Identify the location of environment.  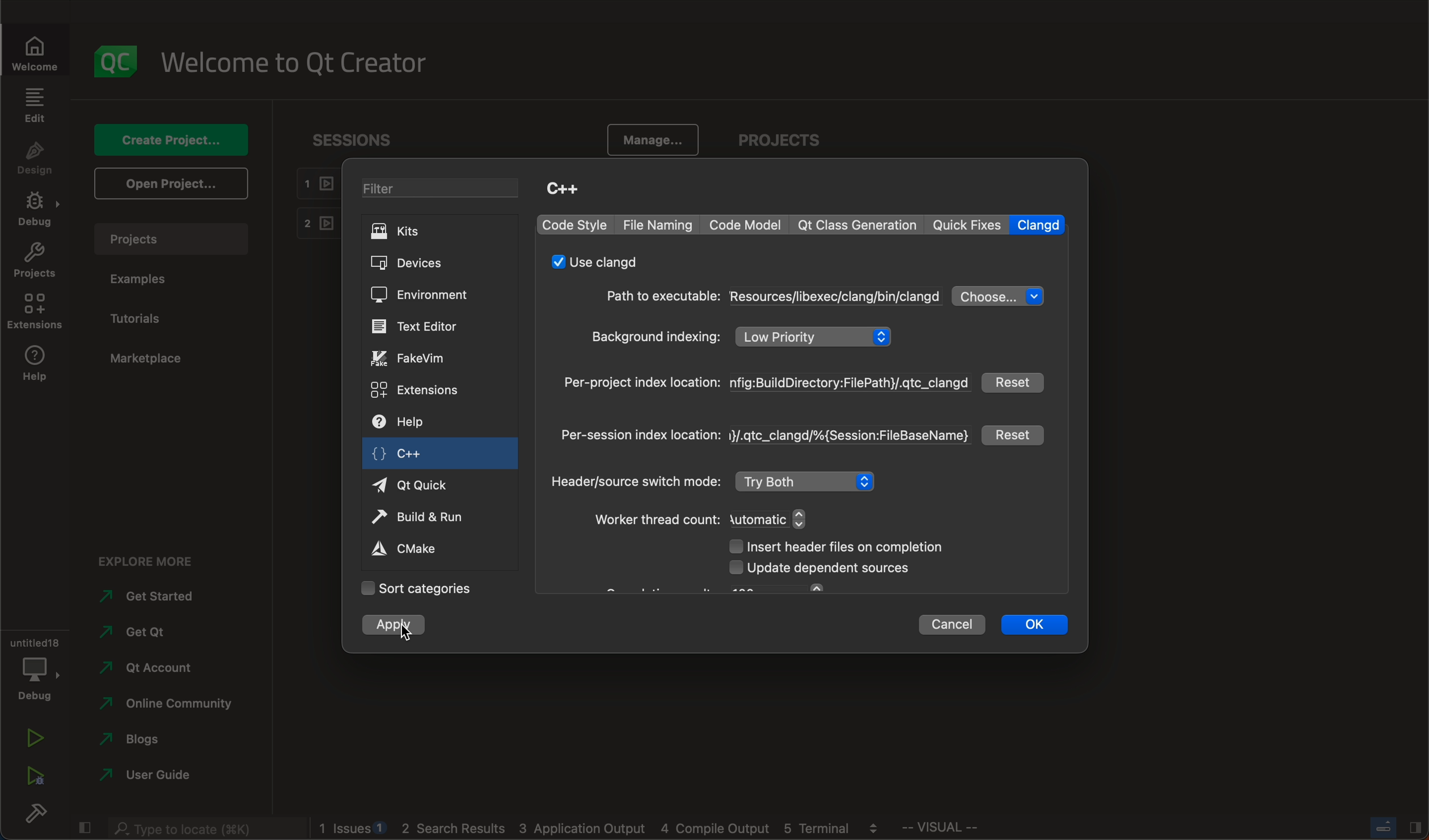
(426, 295).